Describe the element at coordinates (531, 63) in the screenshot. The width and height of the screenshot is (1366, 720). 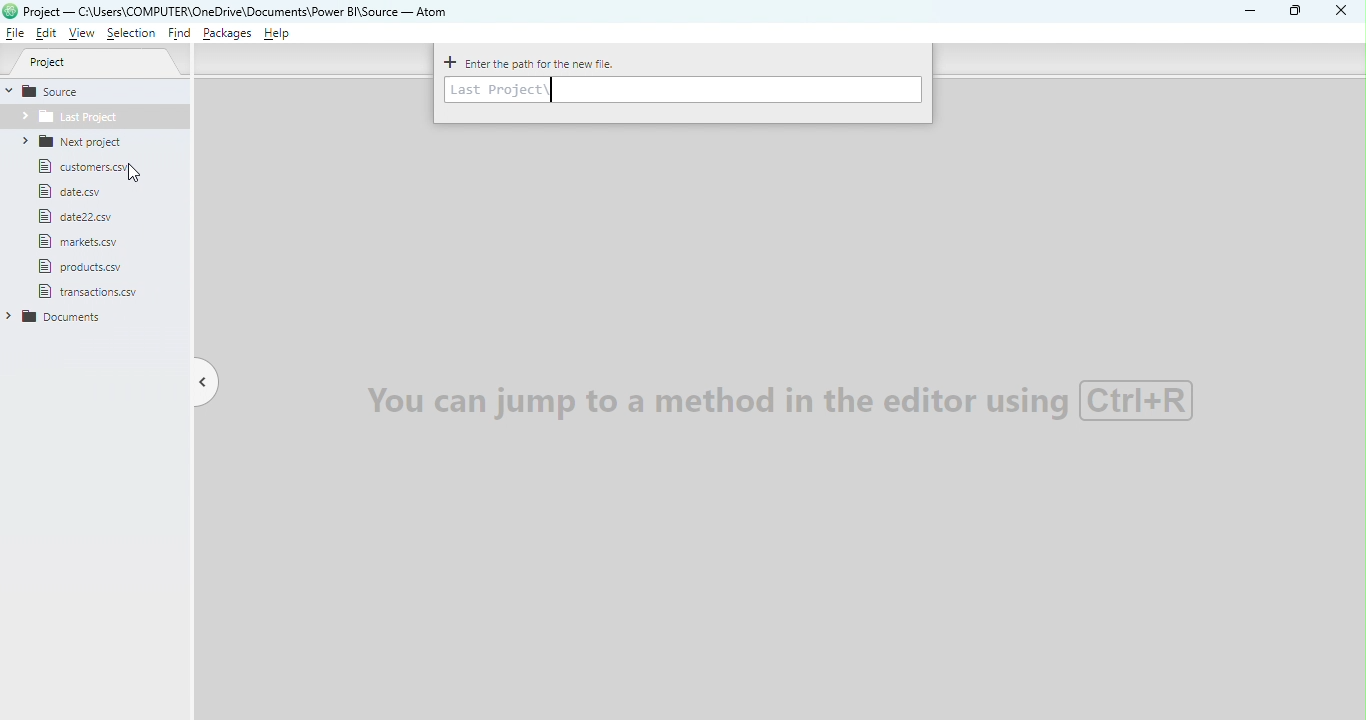
I see `Enter the path for the new file` at that location.